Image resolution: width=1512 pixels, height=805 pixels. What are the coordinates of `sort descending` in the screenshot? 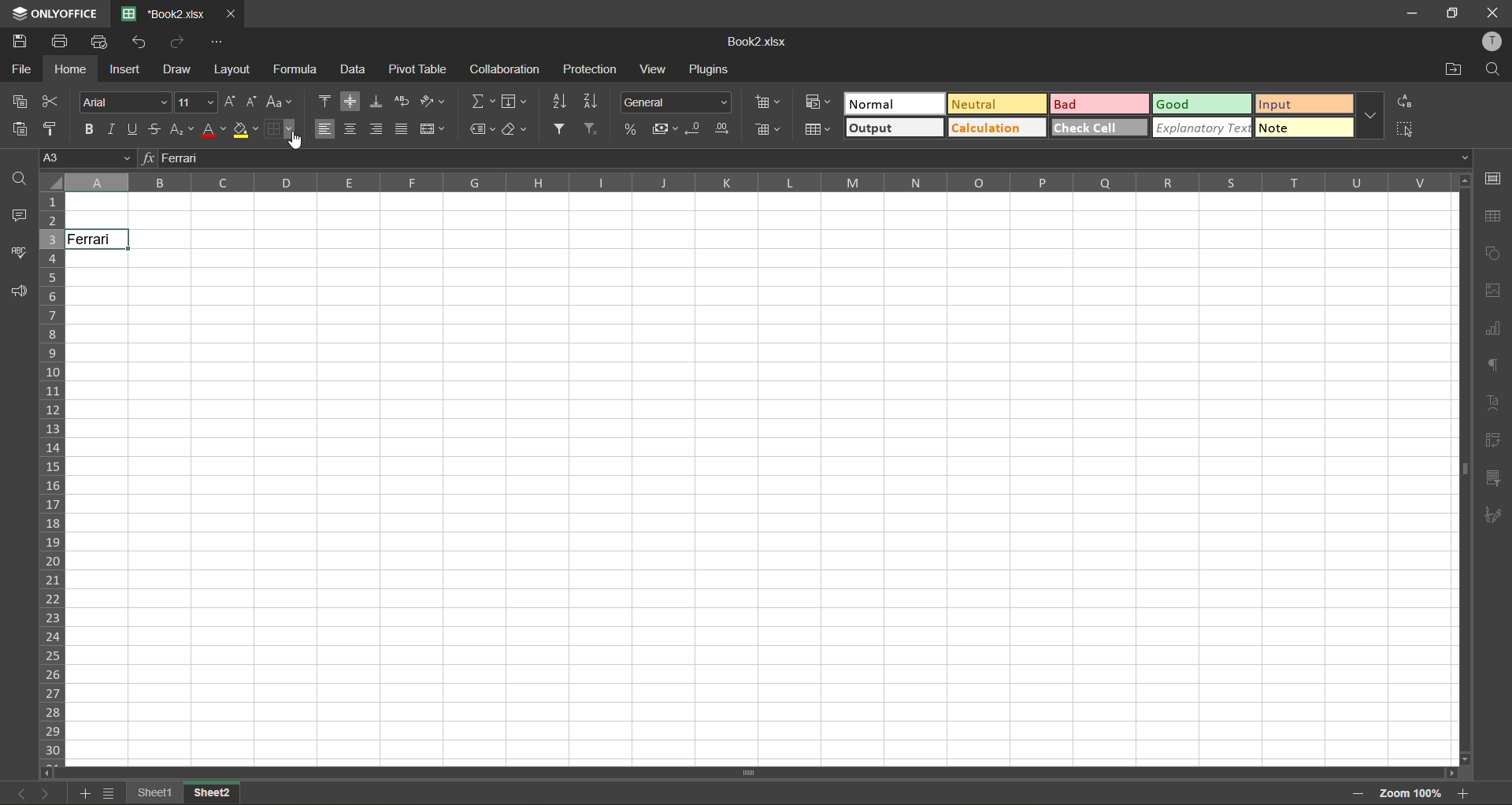 It's located at (591, 101).